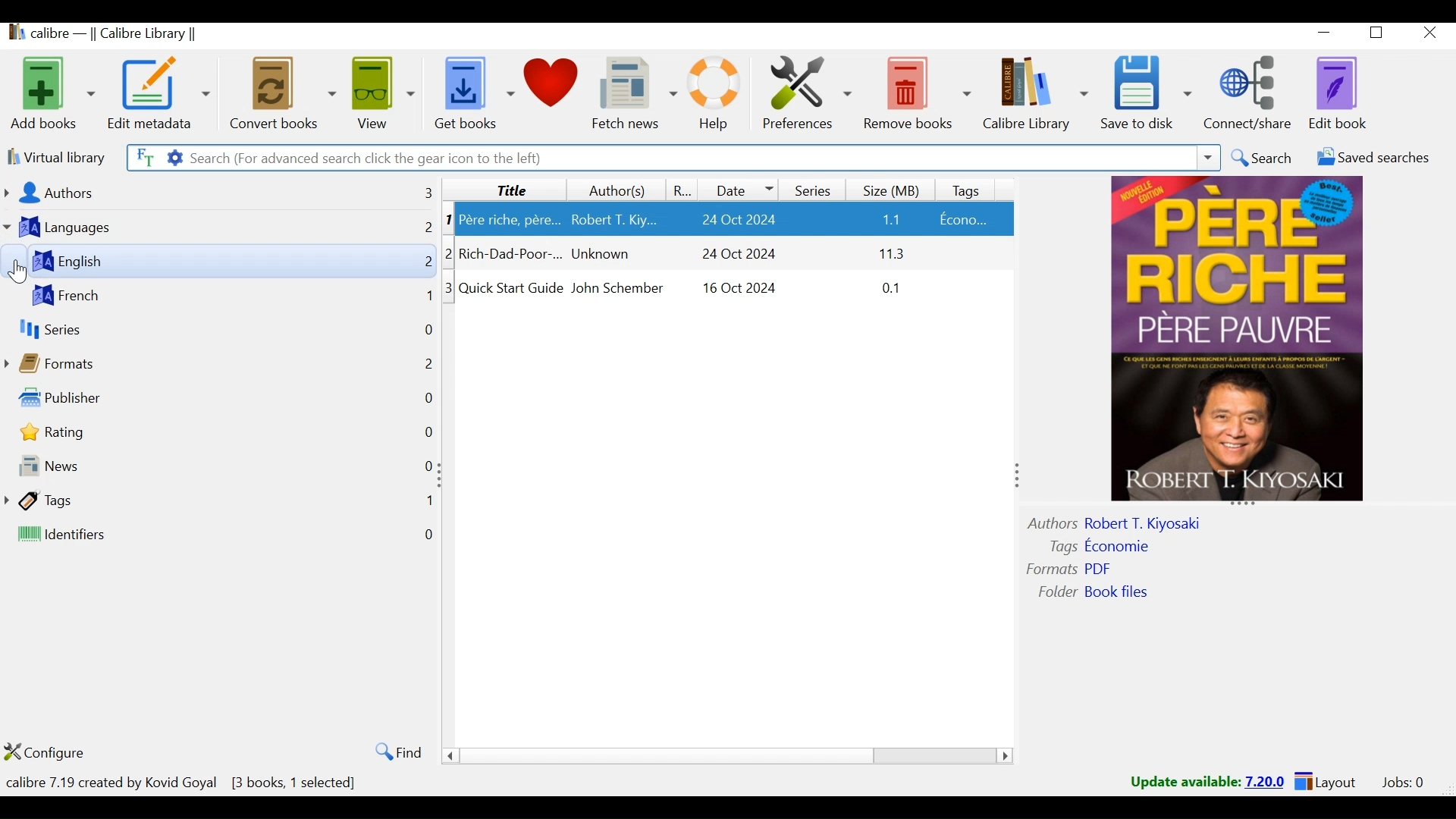 The width and height of the screenshot is (1456, 819). I want to click on $5)
Sa
PERE PAUVRE
ROBERT Ny KIYOSAKI, so click(1244, 343).